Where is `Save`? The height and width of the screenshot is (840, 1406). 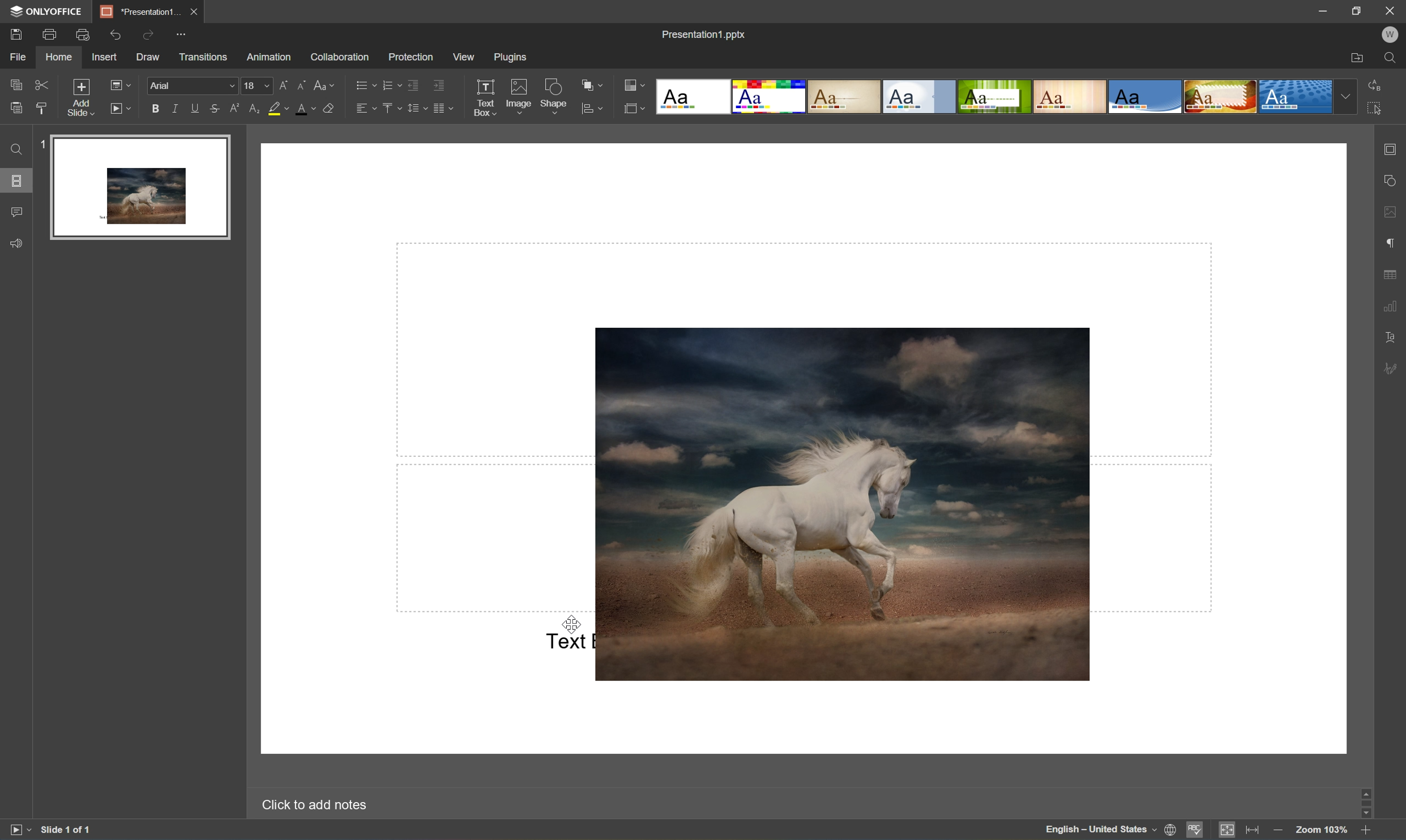 Save is located at coordinates (191, 11).